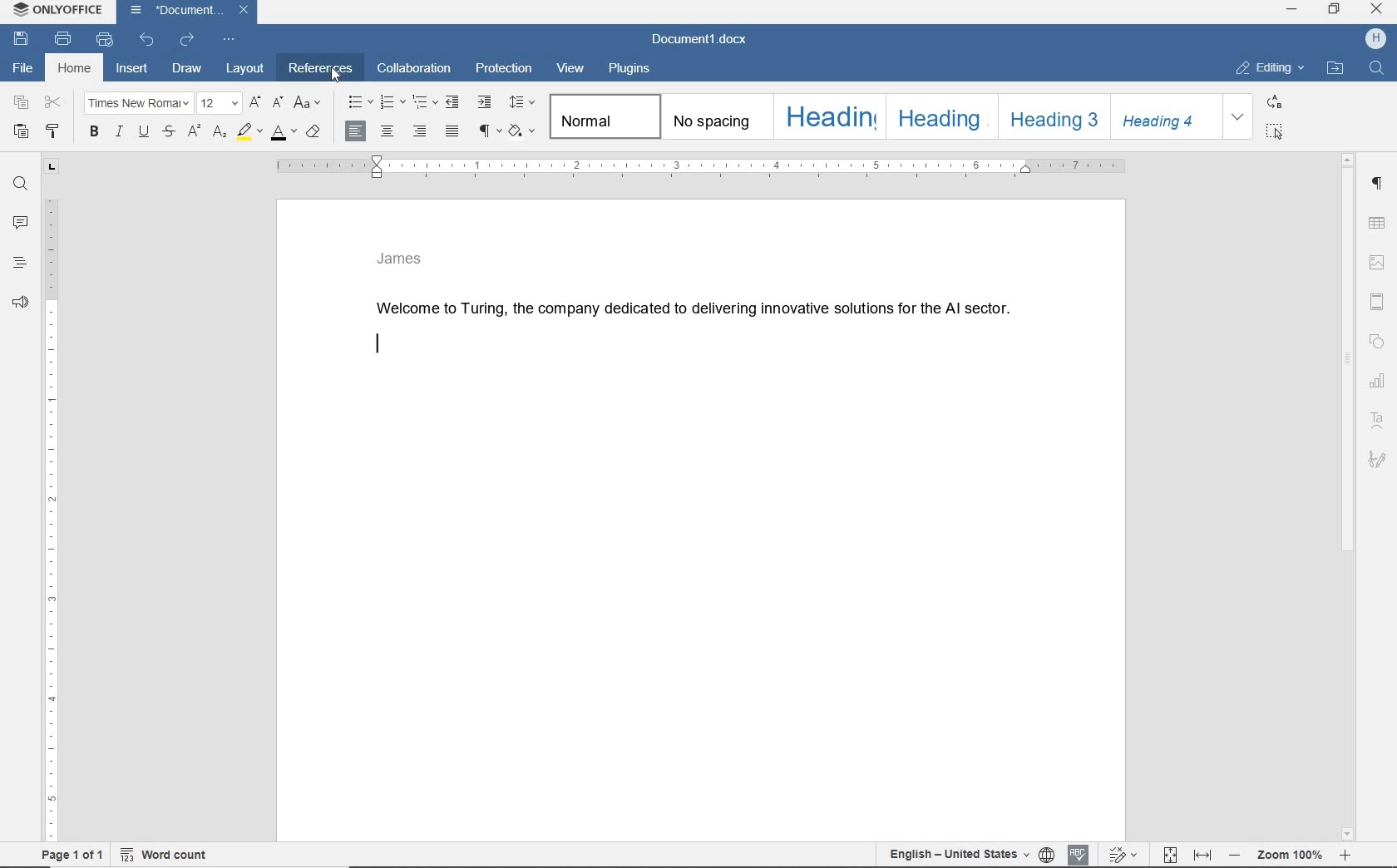 The height and width of the screenshot is (868, 1397). What do you see at coordinates (378, 345) in the screenshot?
I see `editor line` at bounding box center [378, 345].